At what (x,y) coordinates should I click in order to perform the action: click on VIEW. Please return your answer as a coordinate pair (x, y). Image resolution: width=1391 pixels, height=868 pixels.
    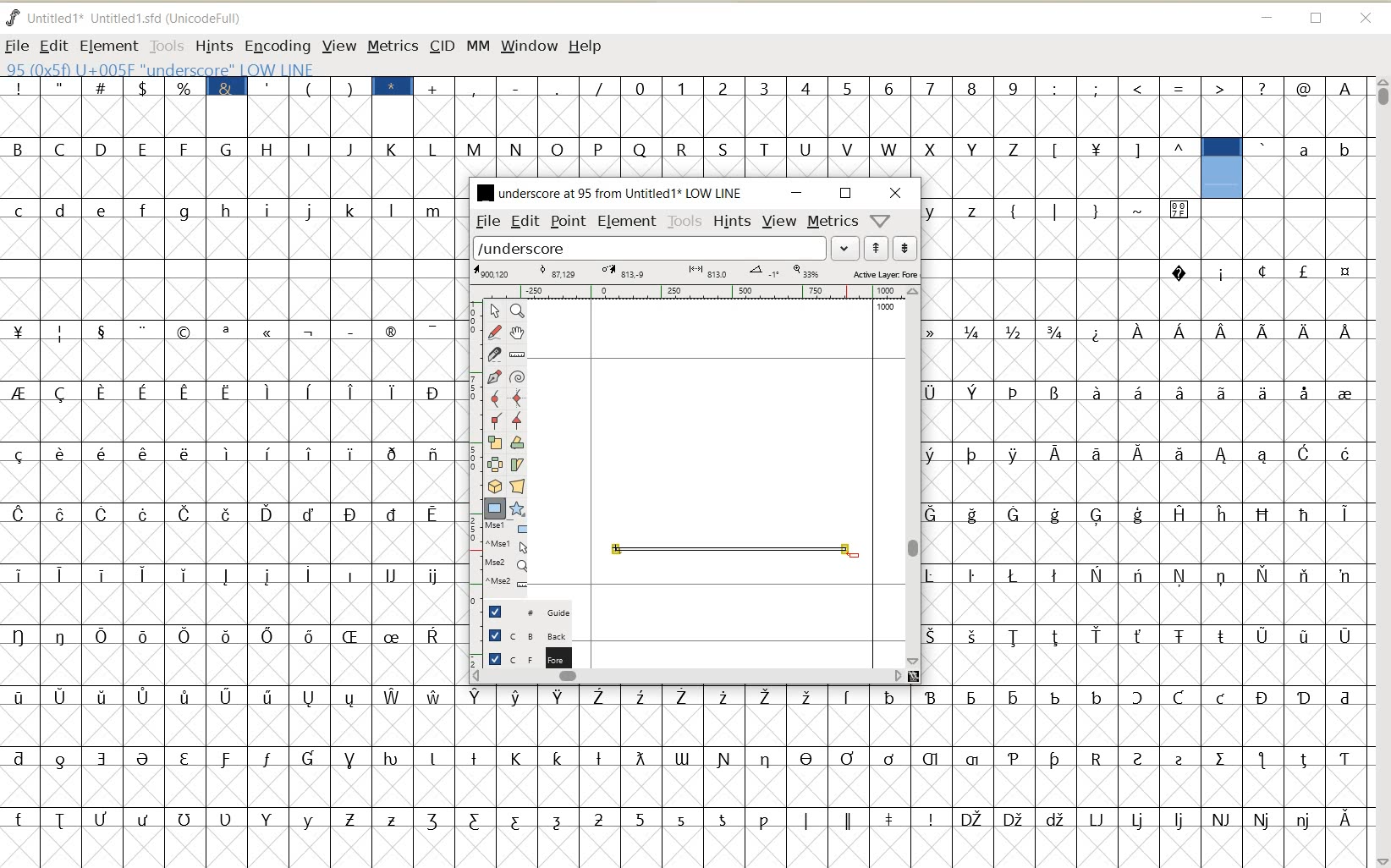
    Looking at the image, I should click on (779, 219).